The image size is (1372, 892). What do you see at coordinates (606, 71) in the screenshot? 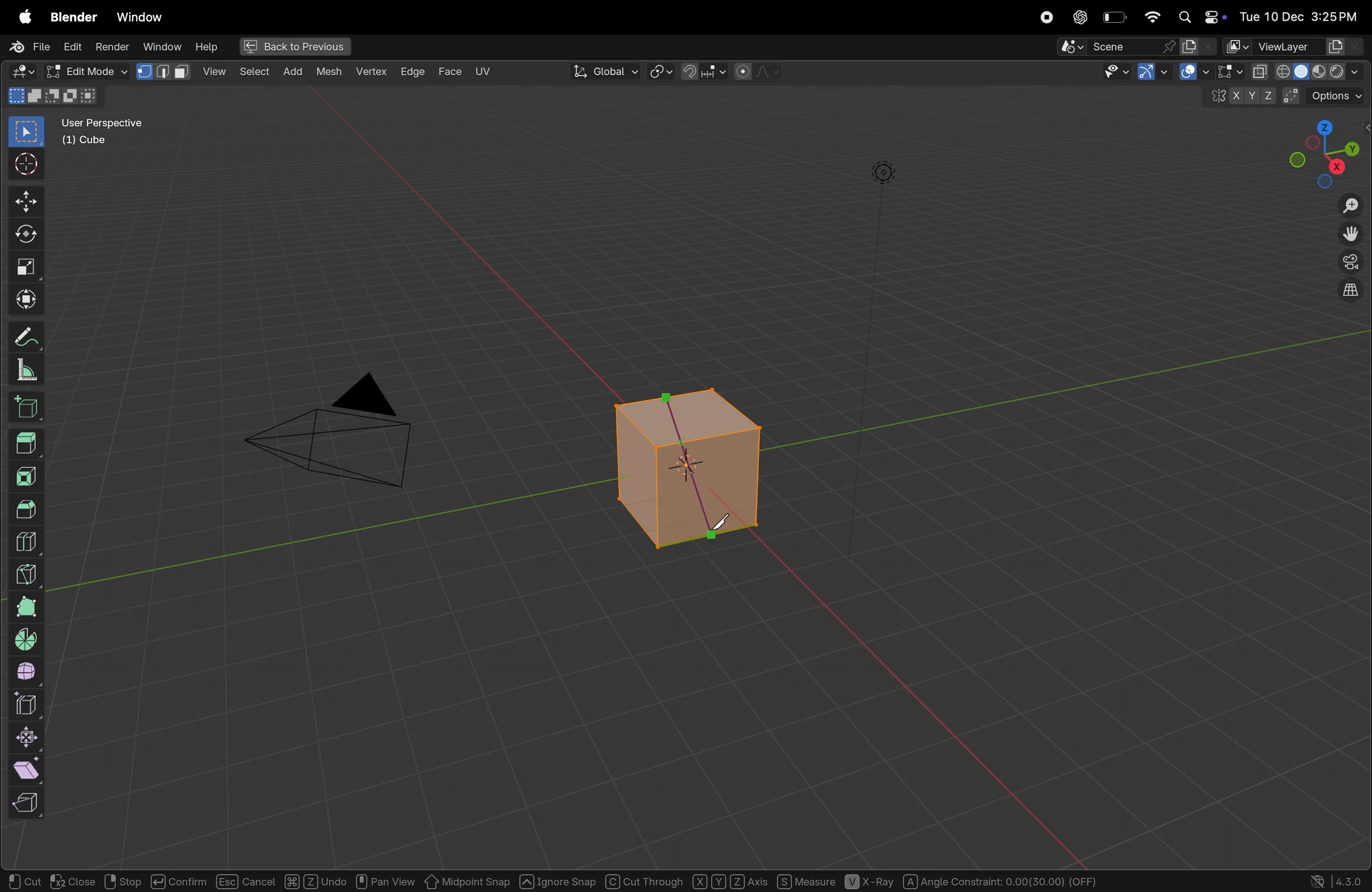
I see `Global` at bounding box center [606, 71].